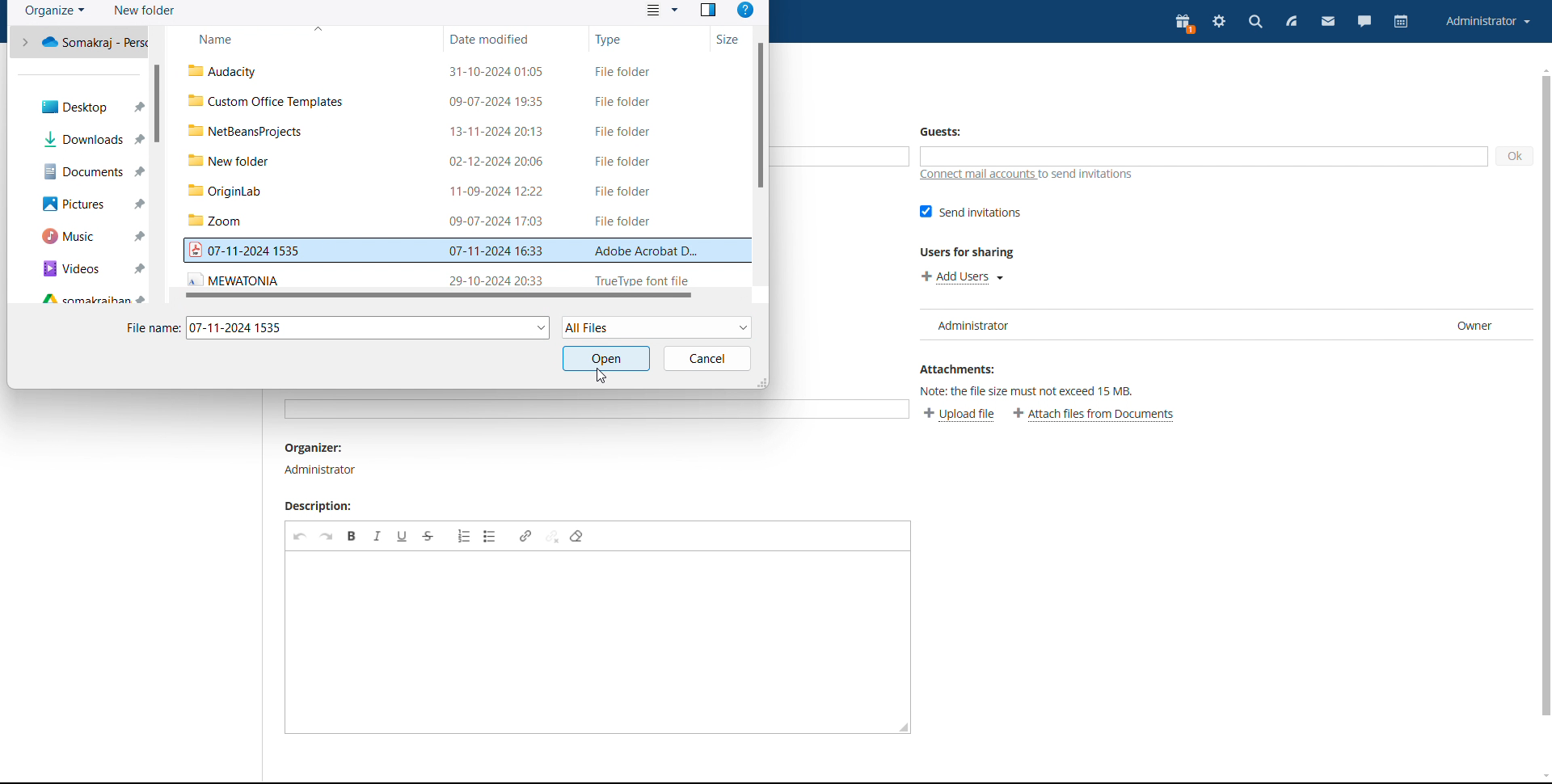 The image size is (1552, 784). I want to click on italic, so click(377, 536).